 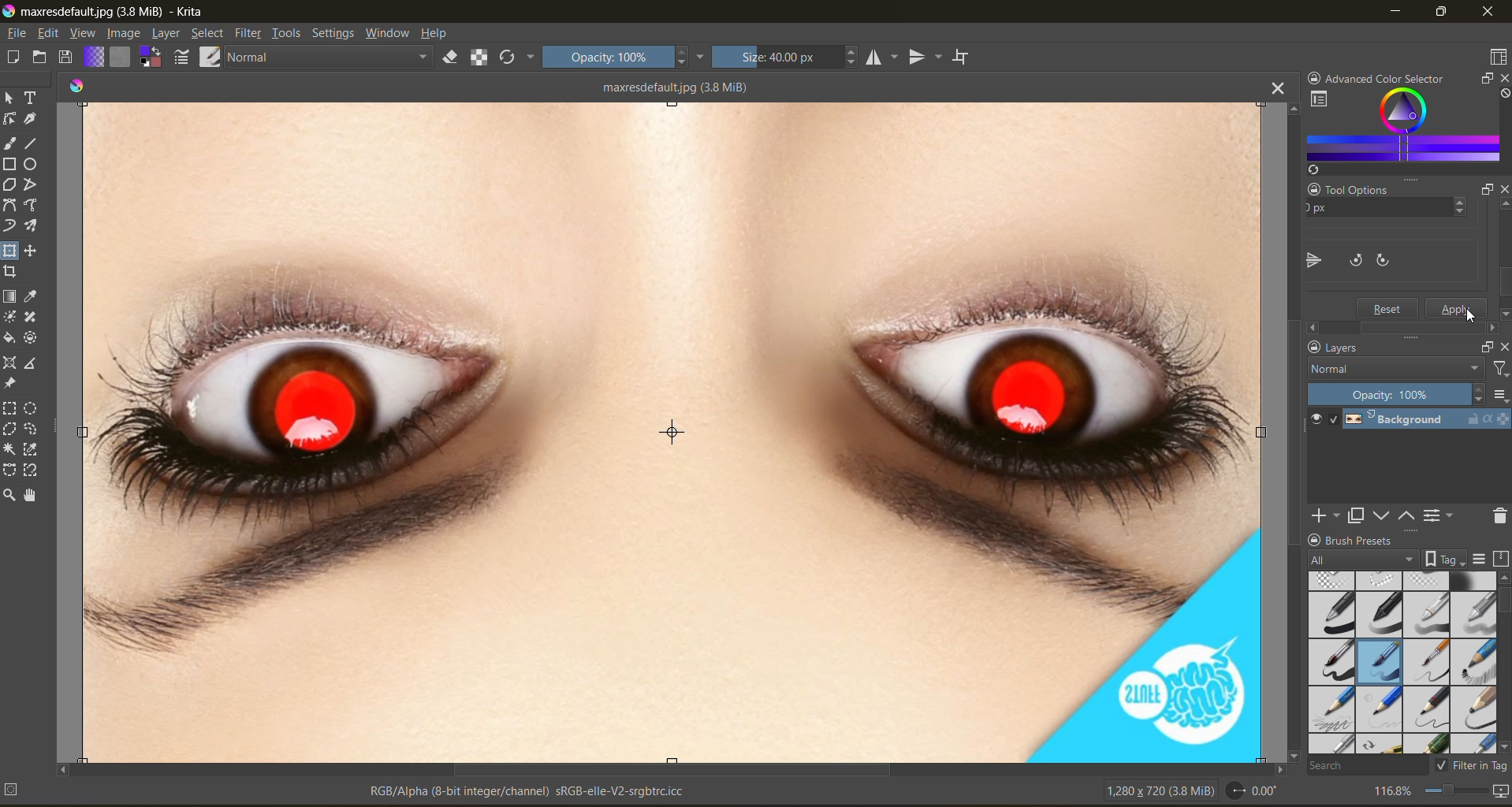 What do you see at coordinates (32, 471) in the screenshot?
I see `tool` at bounding box center [32, 471].